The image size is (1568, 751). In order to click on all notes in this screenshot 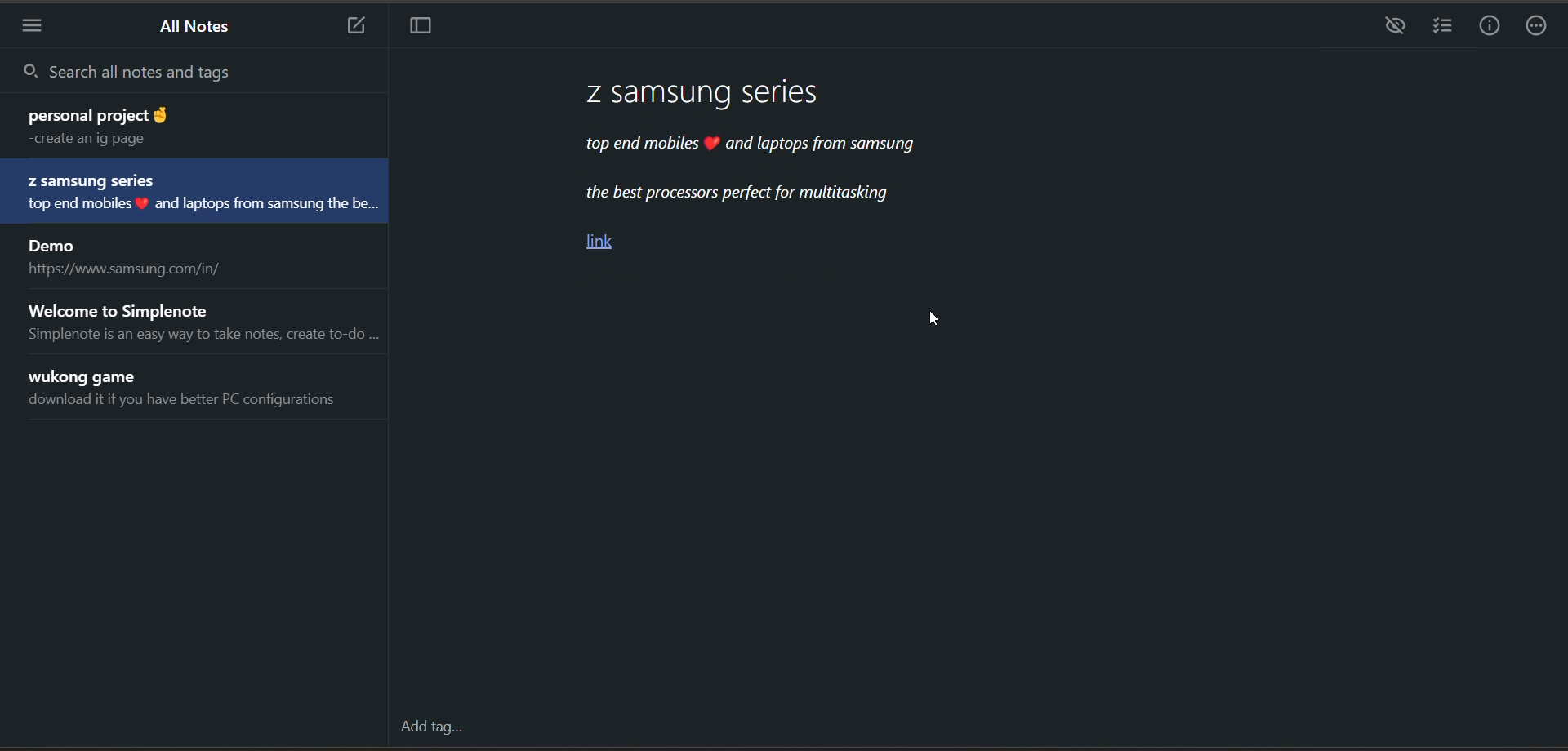, I will do `click(200, 28)`.